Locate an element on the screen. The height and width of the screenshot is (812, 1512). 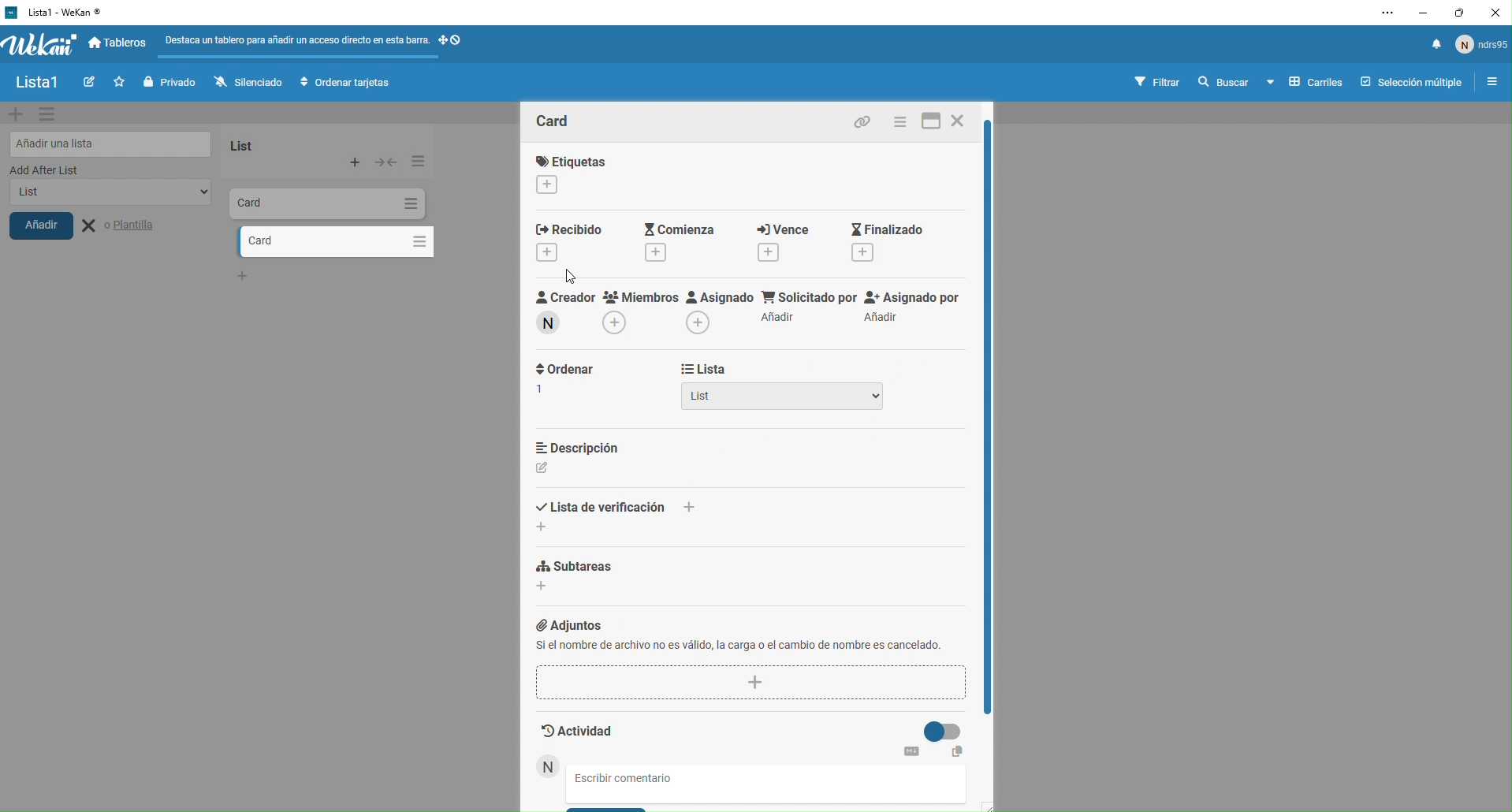
Symbols is located at coordinates (464, 40).